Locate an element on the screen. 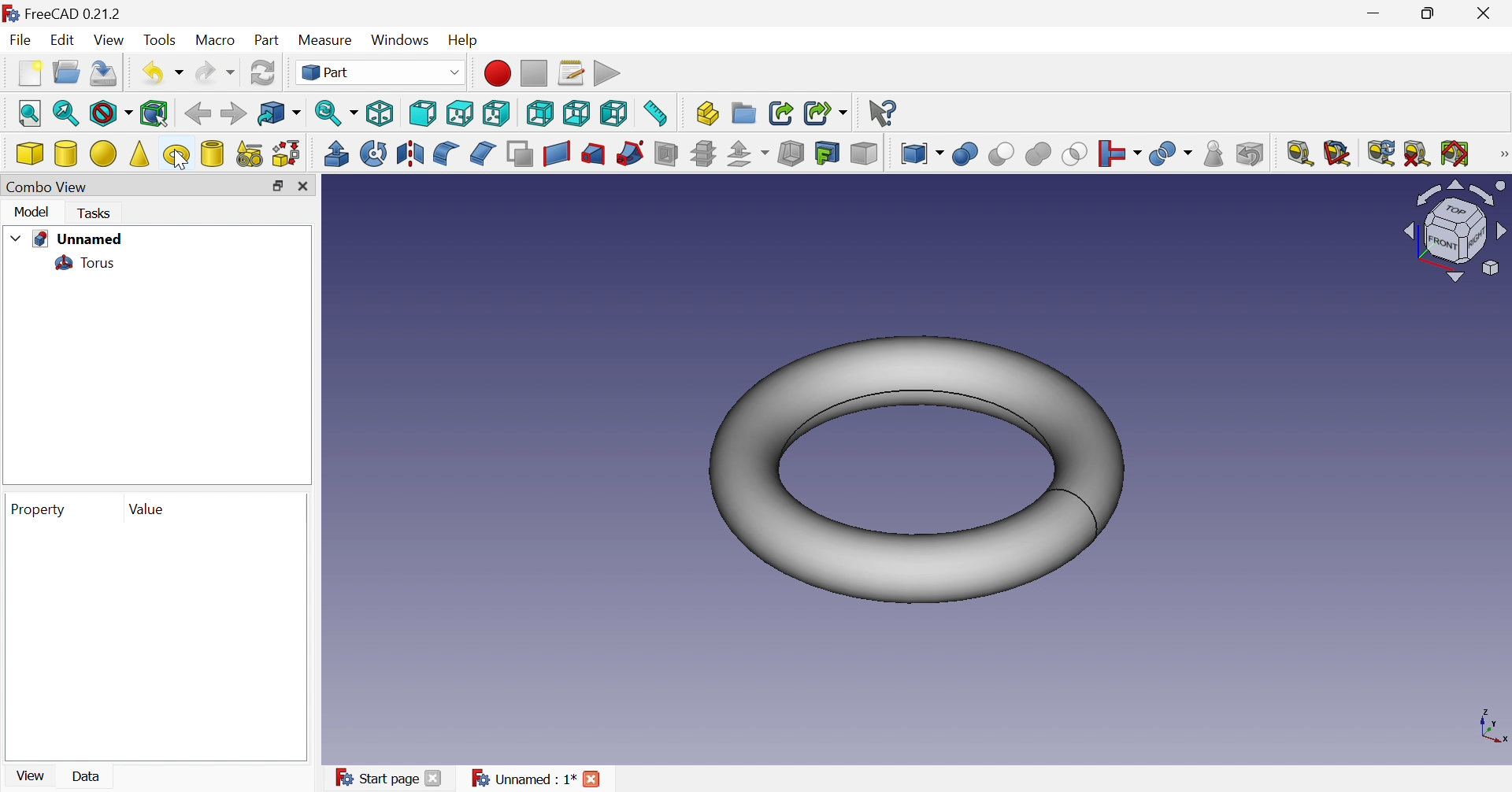 The width and height of the screenshot is (1512, 792). Save is located at coordinates (104, 75).